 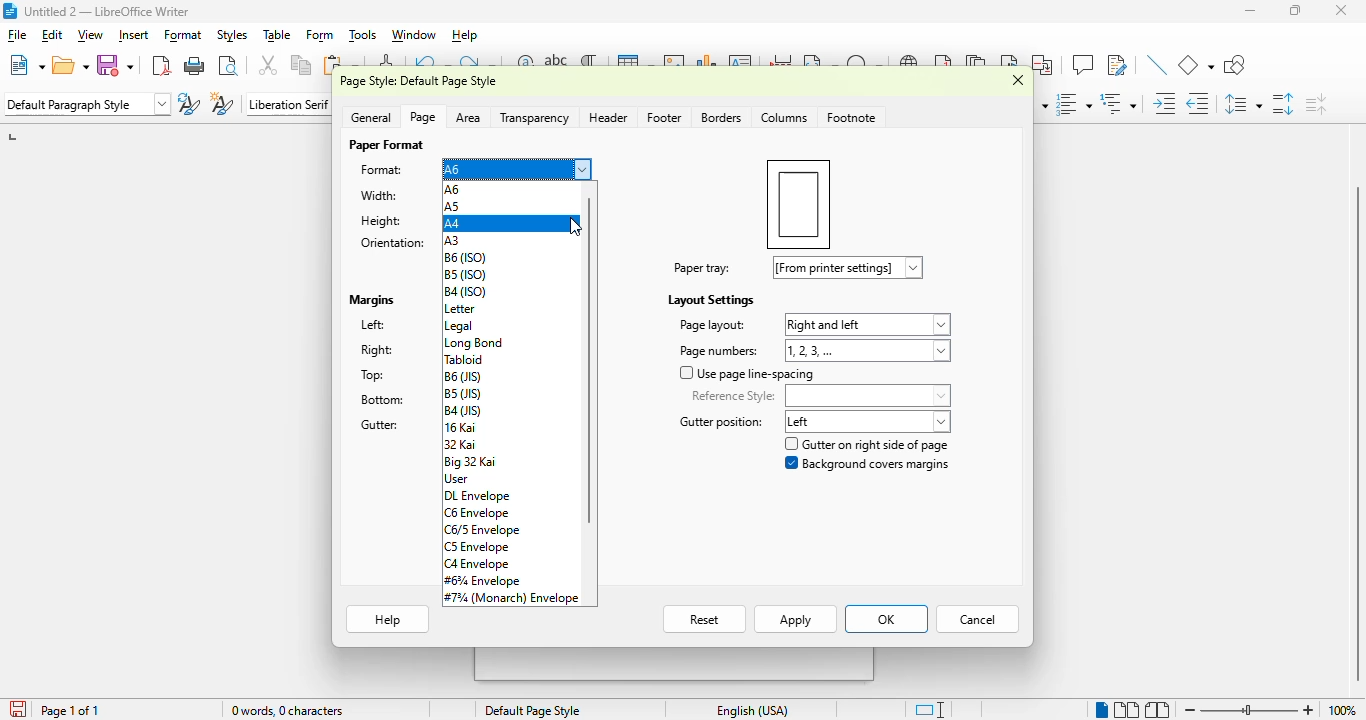 What do you see at coordinates (747, 374) in the screenshot?
I see `use page line-spacing` at bounding box center [747, 374].